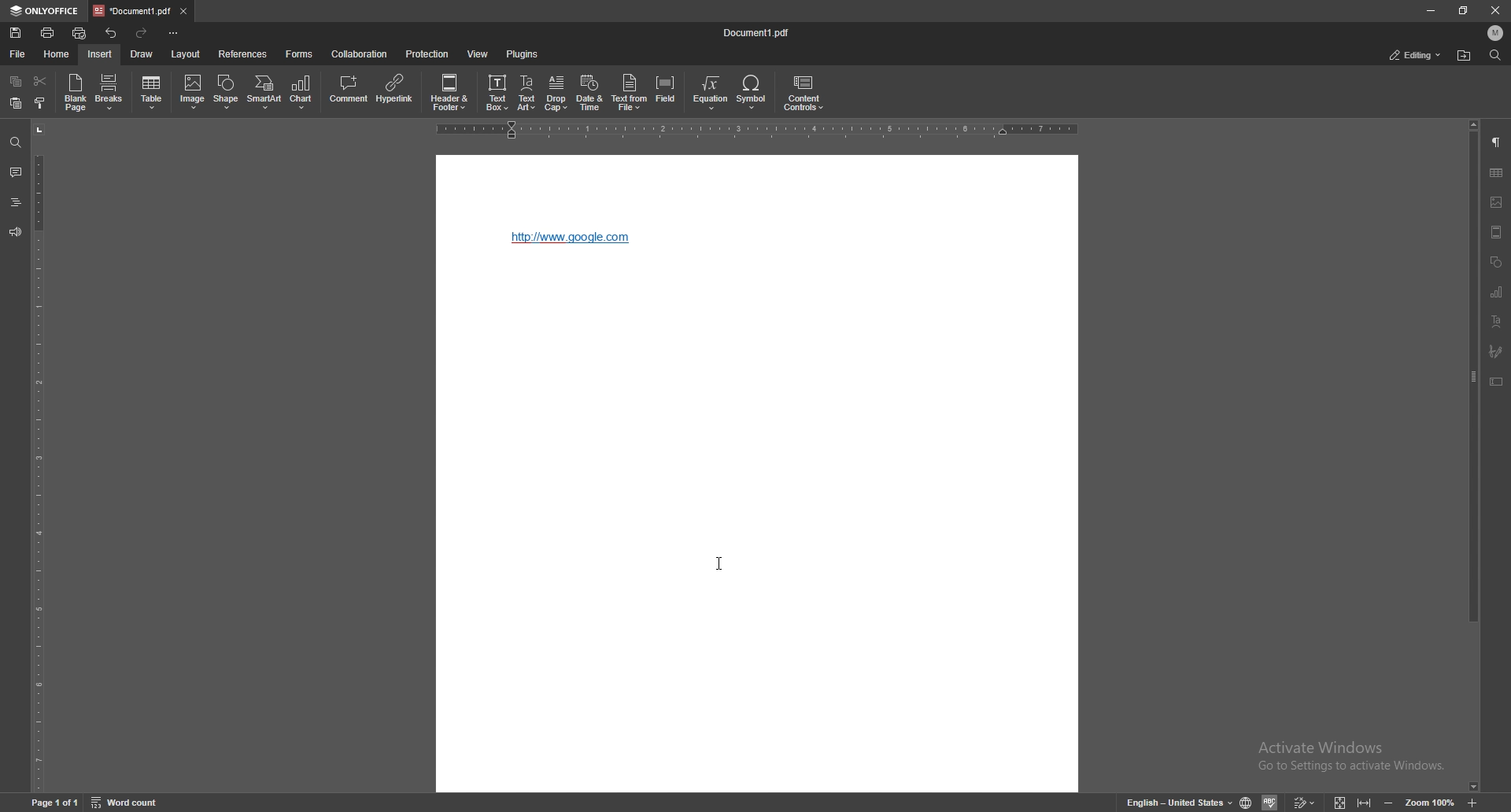  What do you see at coordinates (1466, 9) in the screenshot?
I see `resize` at bounding box center [1466, 9].